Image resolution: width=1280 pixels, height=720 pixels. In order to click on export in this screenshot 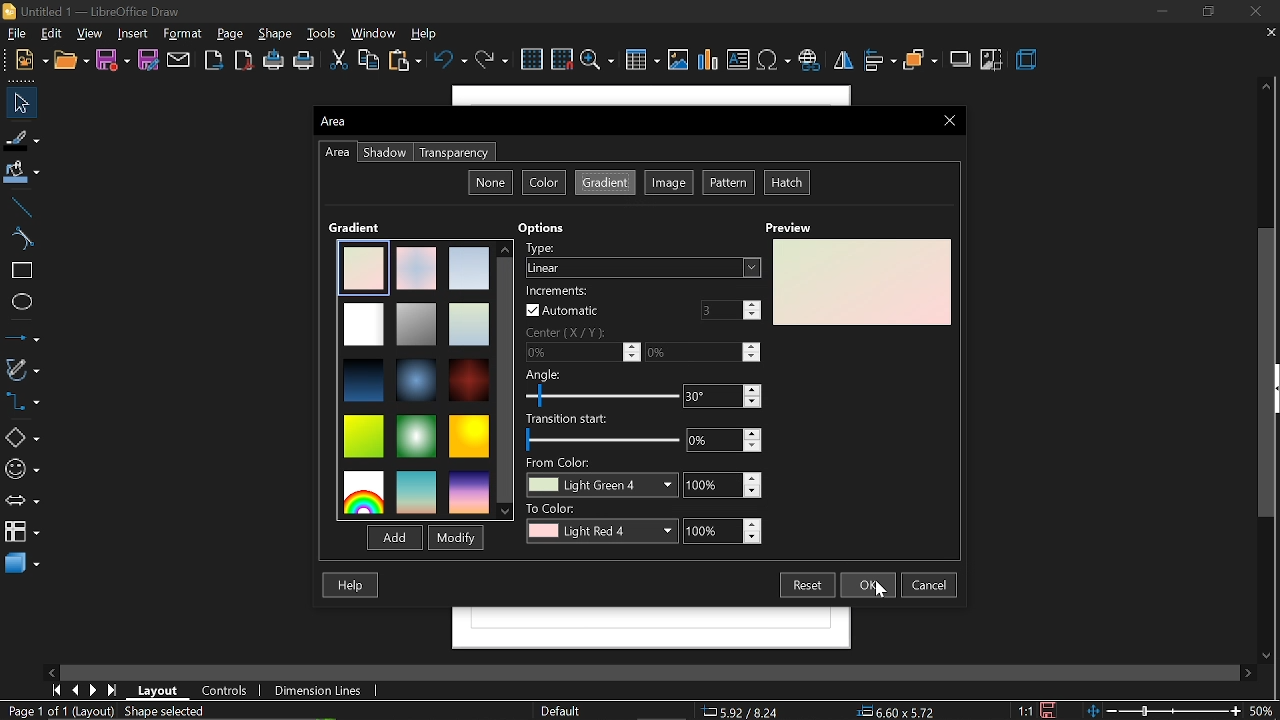, I will do `click(216, 60)`.